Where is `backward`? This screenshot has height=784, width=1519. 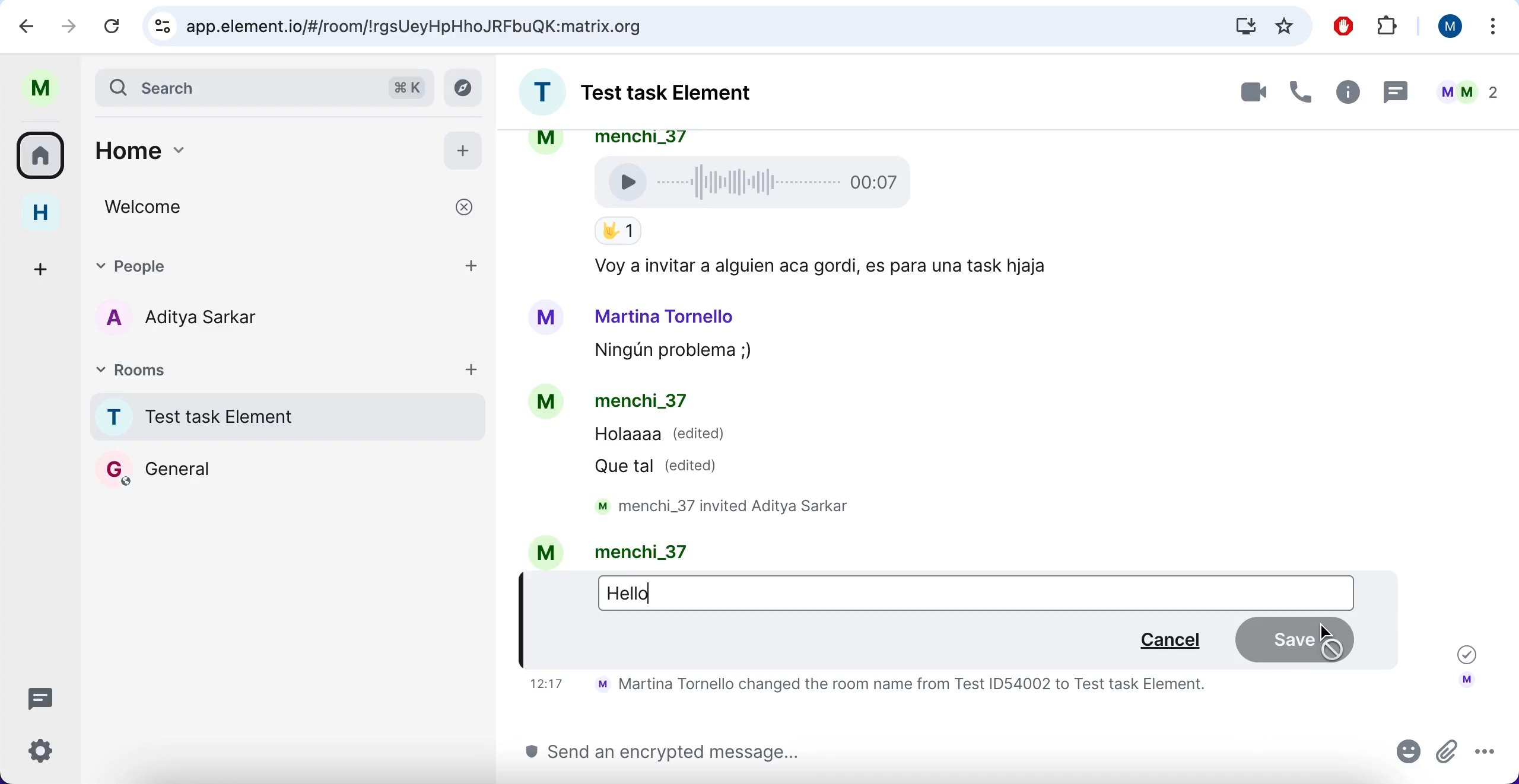
backward is located at coordinates (27, 28).